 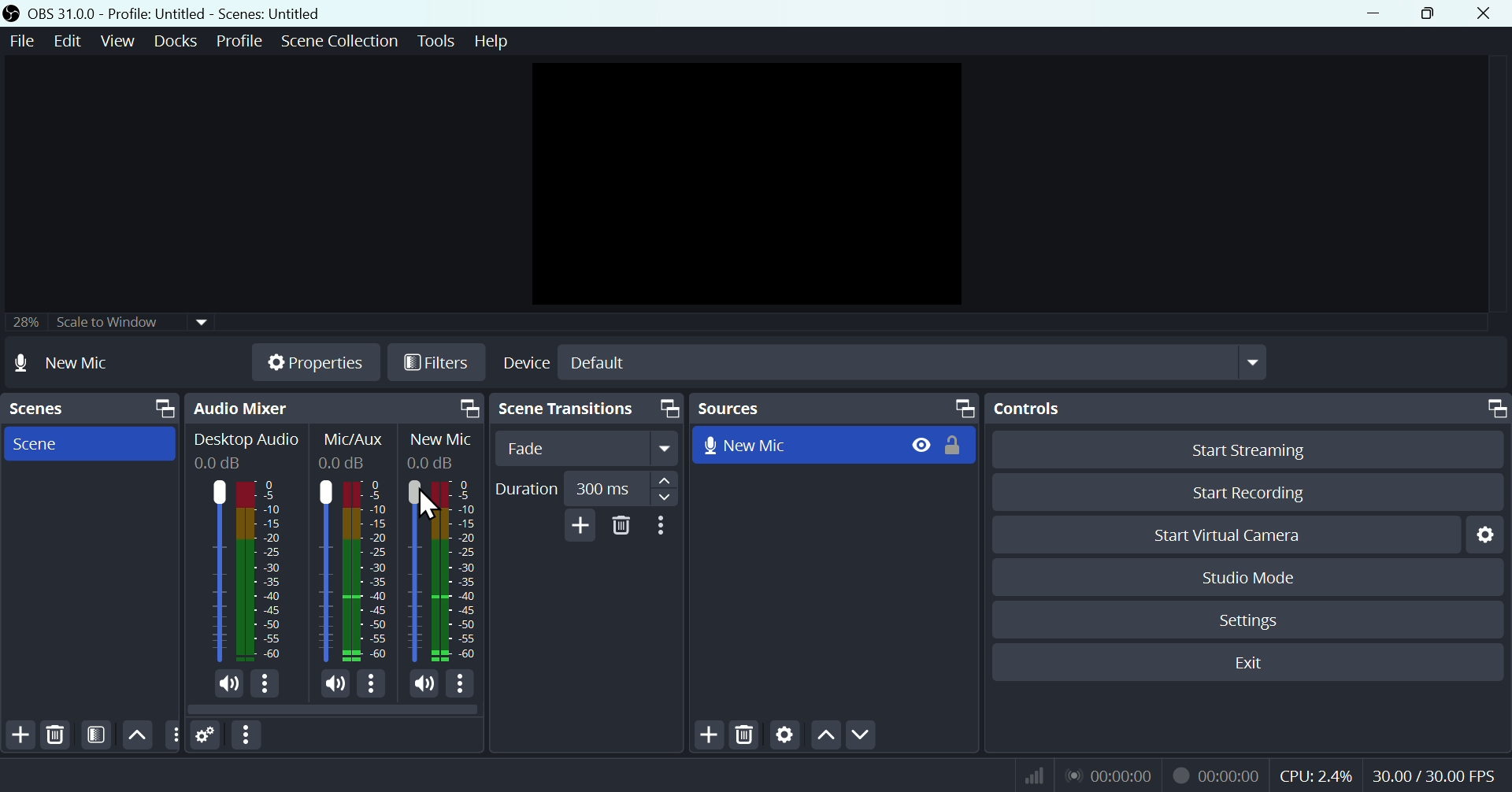 What do you see at coordinates (345, 463) in the screenshot?
I see `0.0dB` at bounding box center [345, 463].